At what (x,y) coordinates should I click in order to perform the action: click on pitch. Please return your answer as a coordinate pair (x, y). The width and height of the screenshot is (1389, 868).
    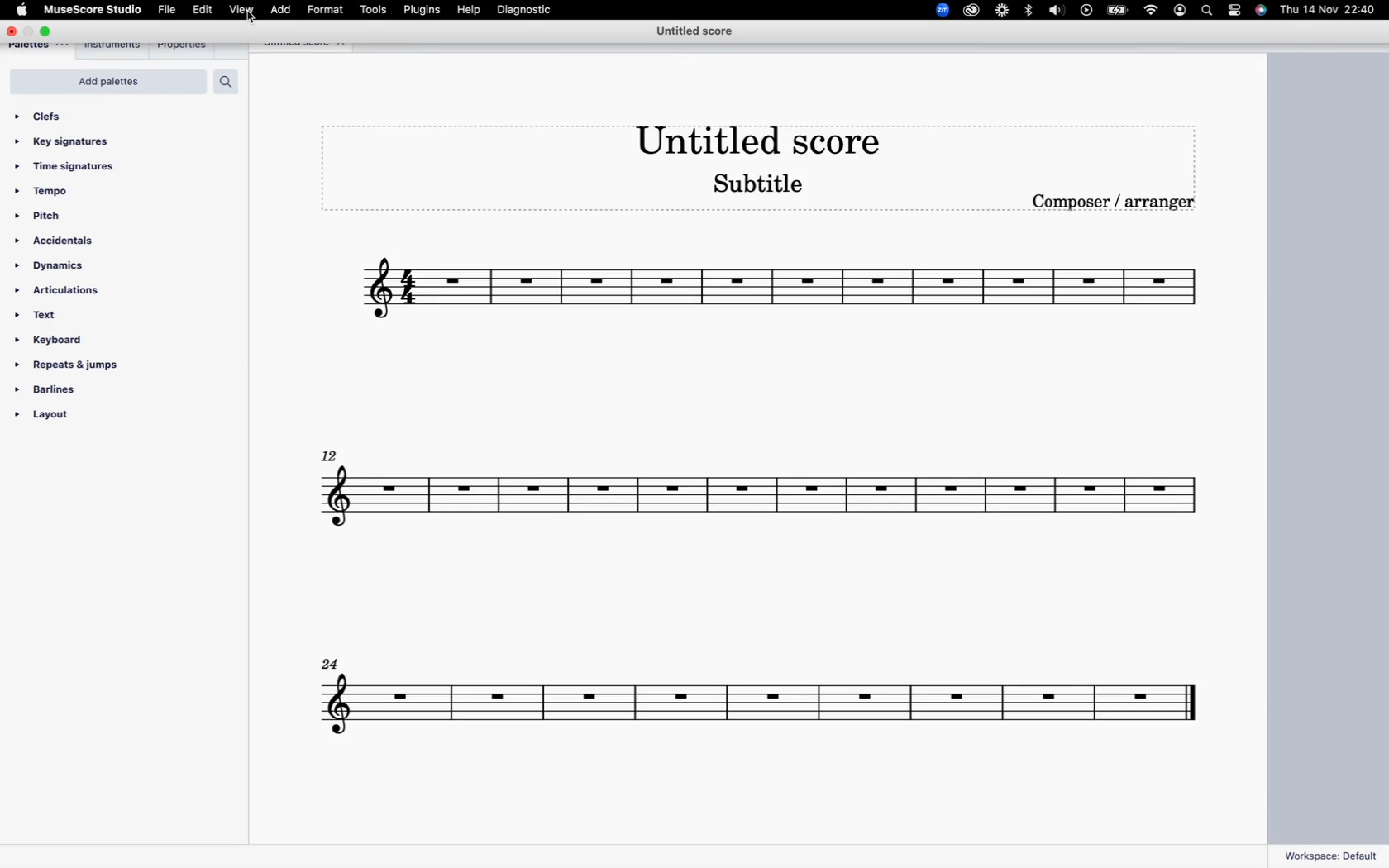
    Looking at the image, I should click on (49, 217).